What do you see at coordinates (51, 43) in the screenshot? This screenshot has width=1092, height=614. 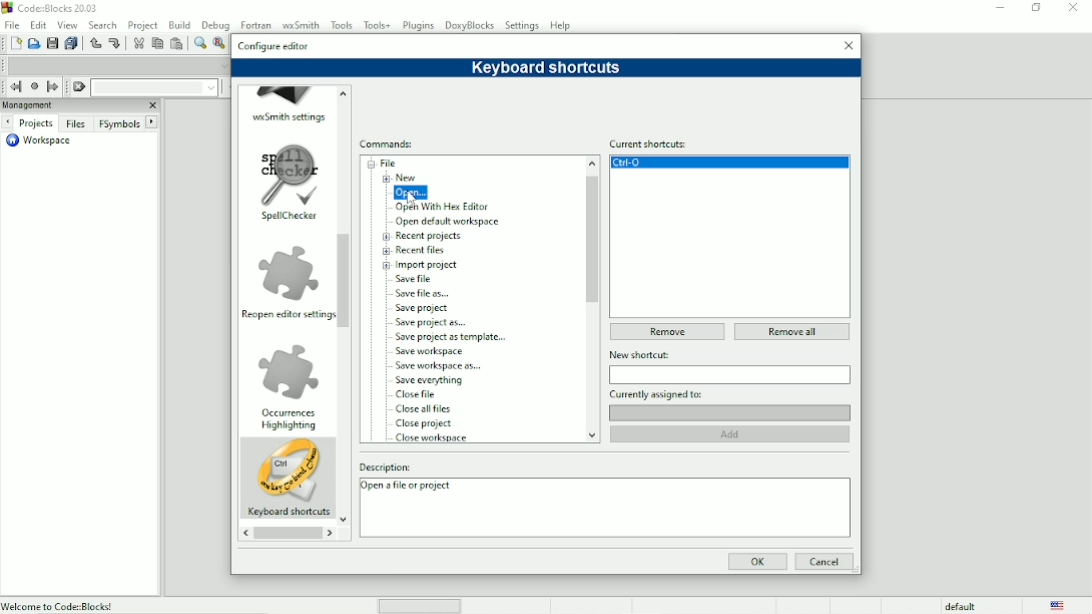 I see `Save` at bounding box center [51, 43].